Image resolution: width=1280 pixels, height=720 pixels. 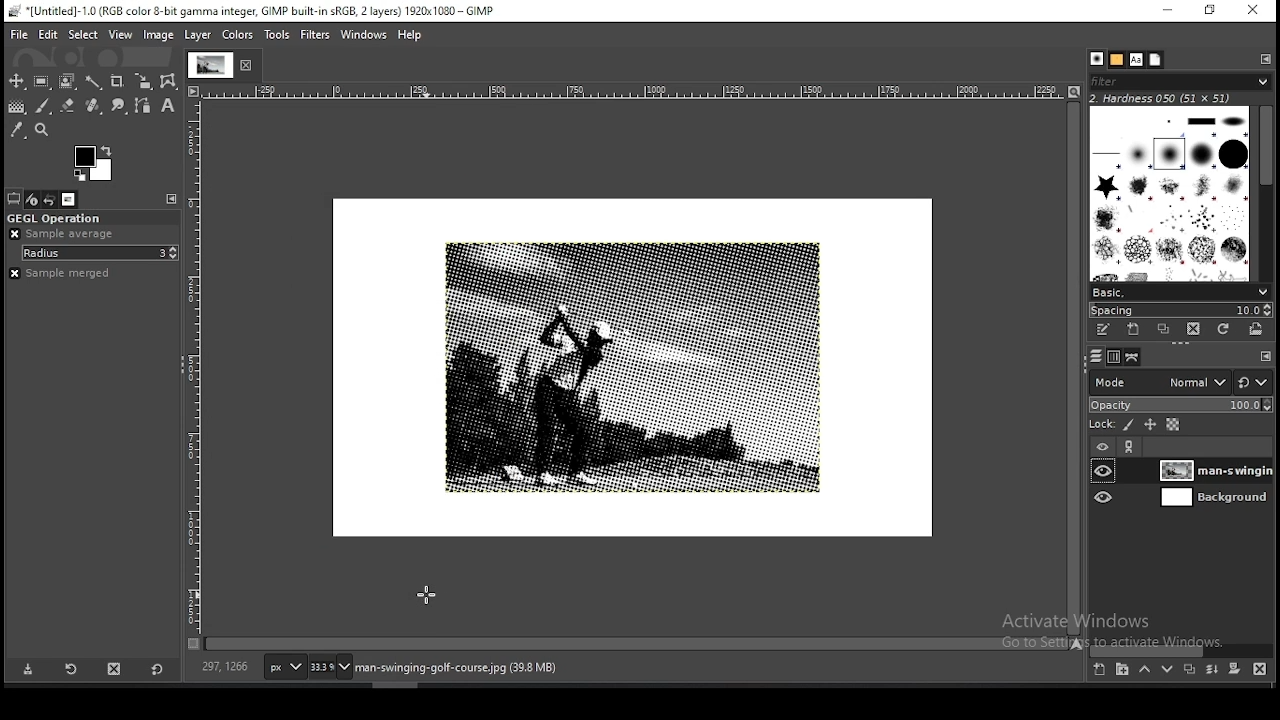 What do you see at coordinates (1212, 11) in the screenshot?
I see `restore` at bounding box center [1212, 11].